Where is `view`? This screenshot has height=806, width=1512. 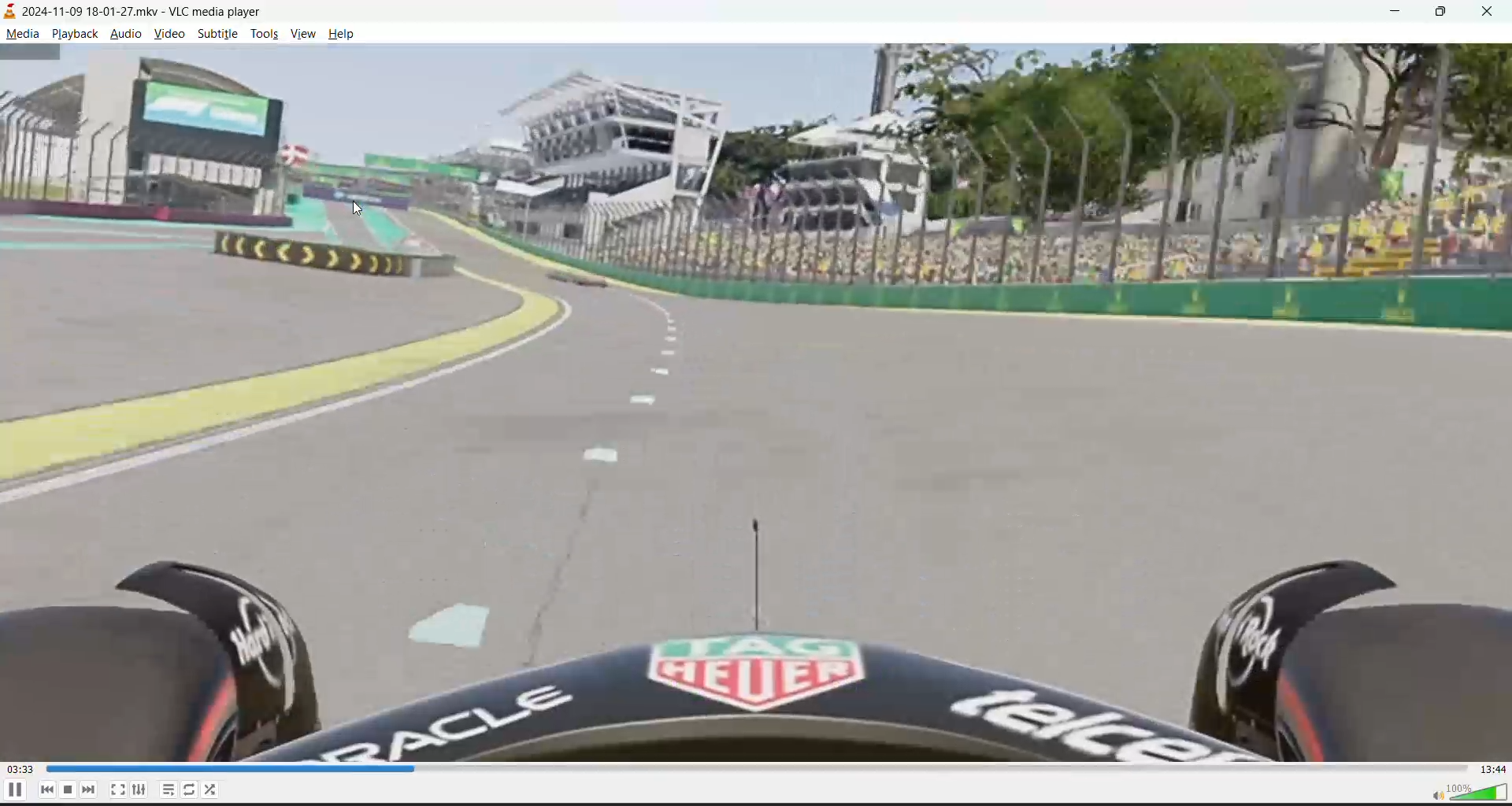 view is located at coordinates (305, 34).